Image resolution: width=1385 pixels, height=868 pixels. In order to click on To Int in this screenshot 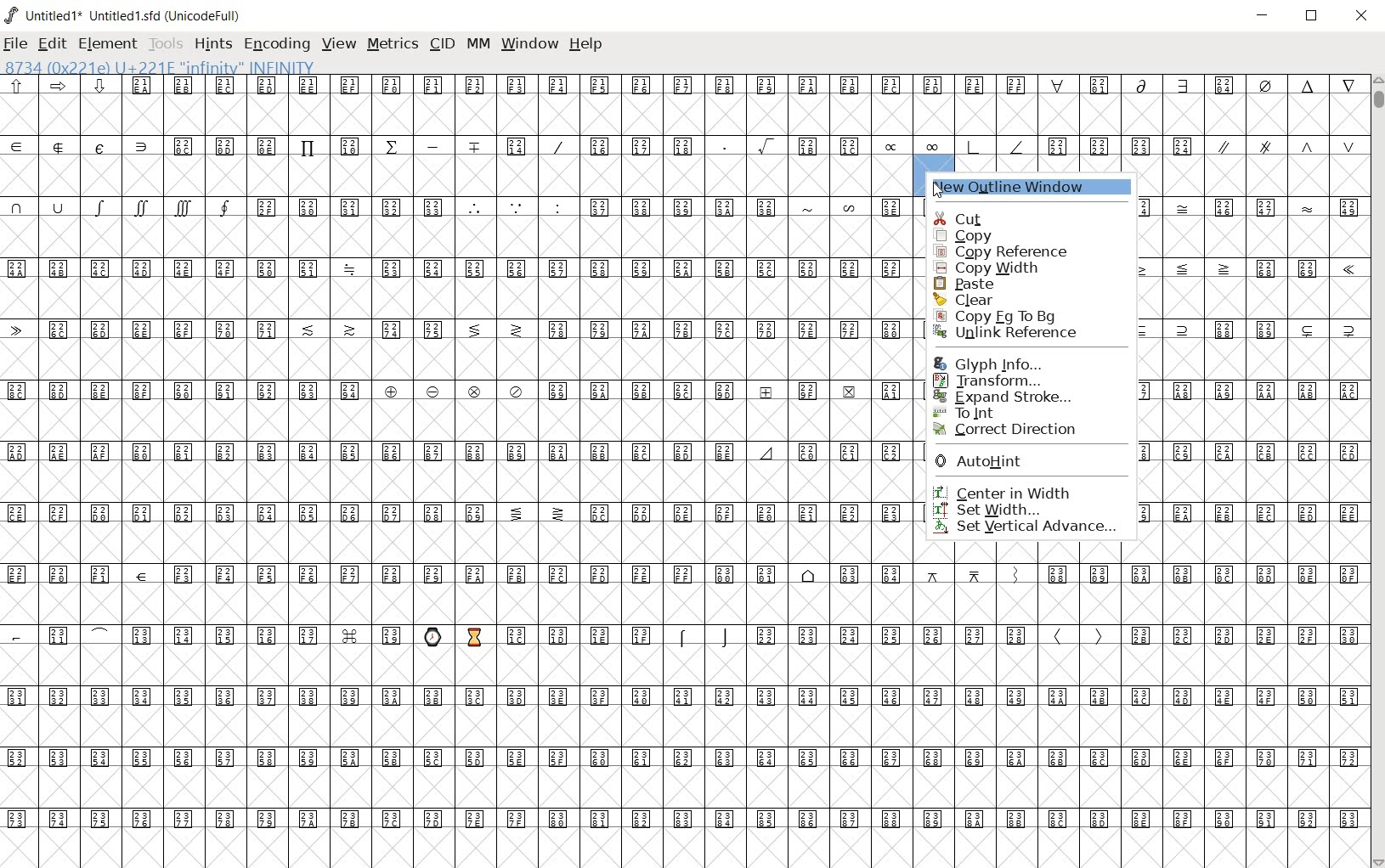, I will do `click(1027, 412)`.